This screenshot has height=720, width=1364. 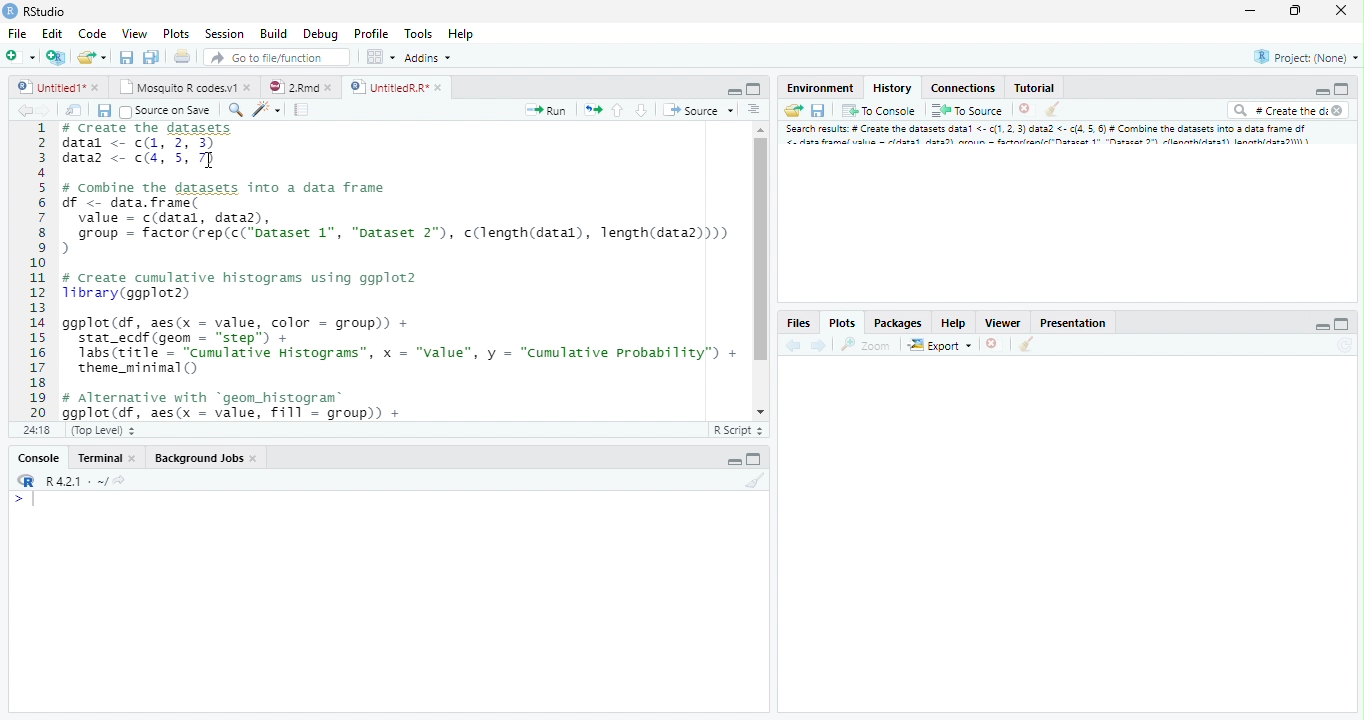 I want to click on Code, so click(x=91, y=35).